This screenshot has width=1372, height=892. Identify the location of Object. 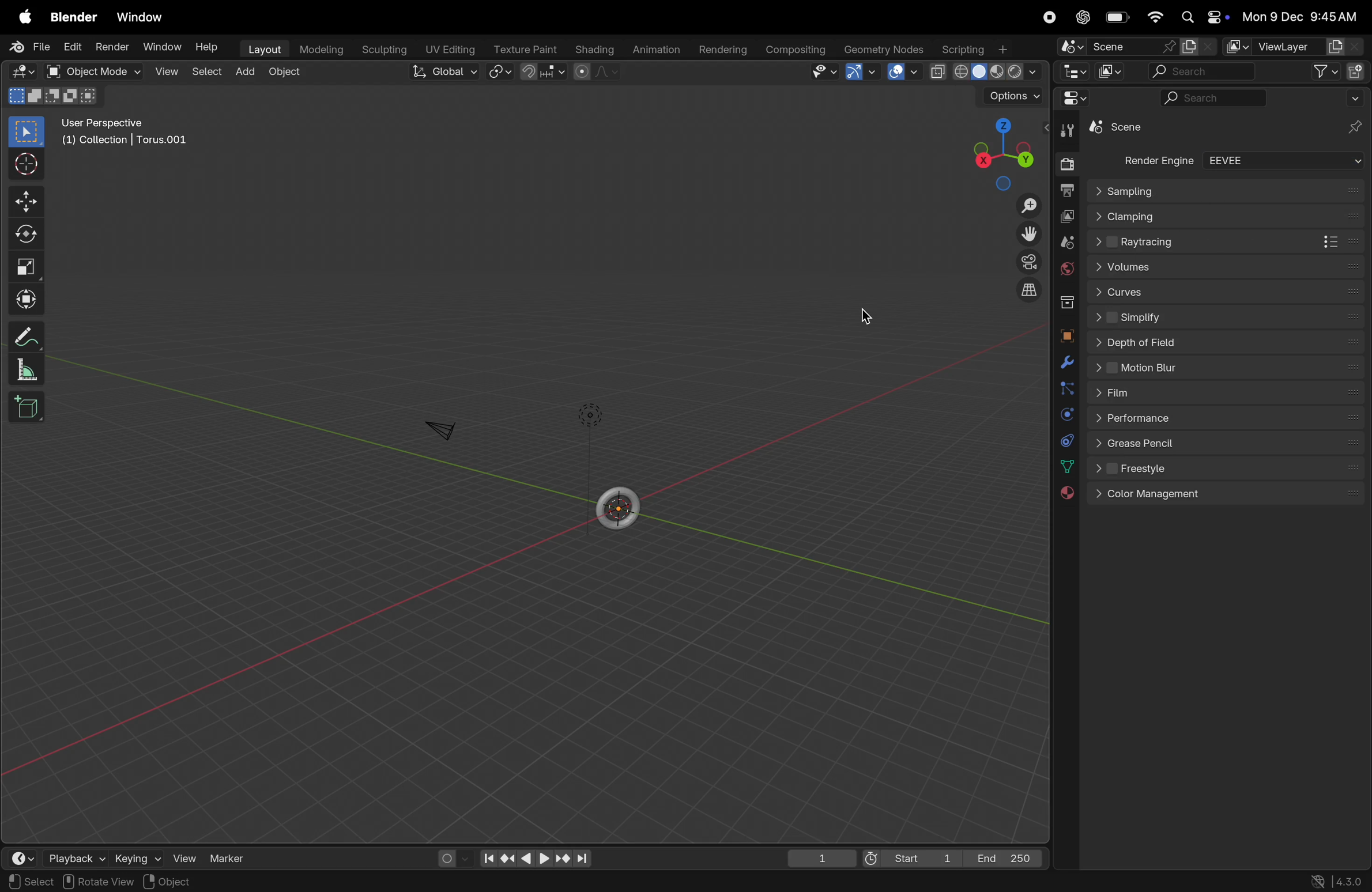
(167, 881).